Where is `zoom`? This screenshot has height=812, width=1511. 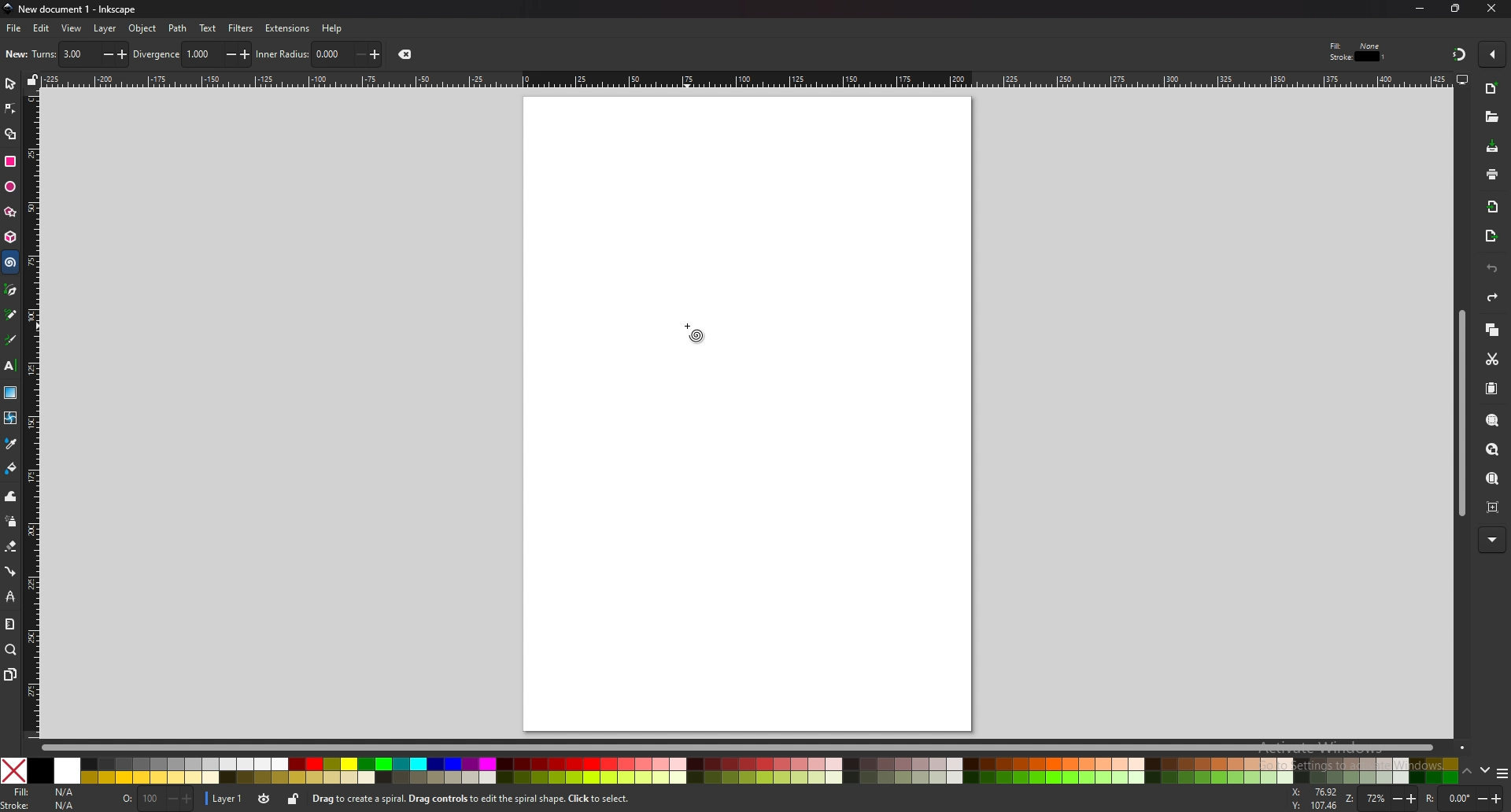 zoom is located at coordinates (12, 651).